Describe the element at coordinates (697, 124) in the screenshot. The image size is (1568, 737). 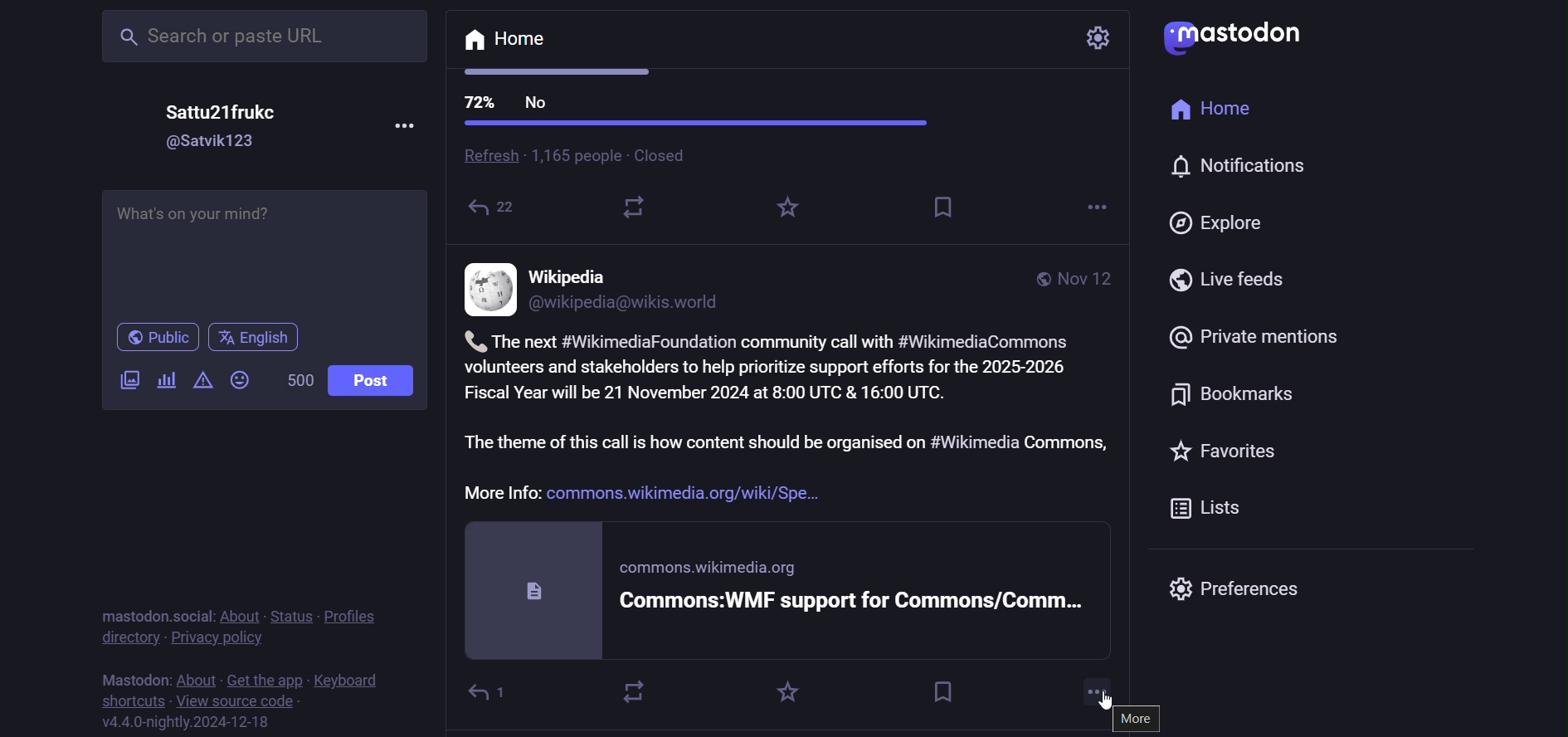
I see `progress bar` at that location.